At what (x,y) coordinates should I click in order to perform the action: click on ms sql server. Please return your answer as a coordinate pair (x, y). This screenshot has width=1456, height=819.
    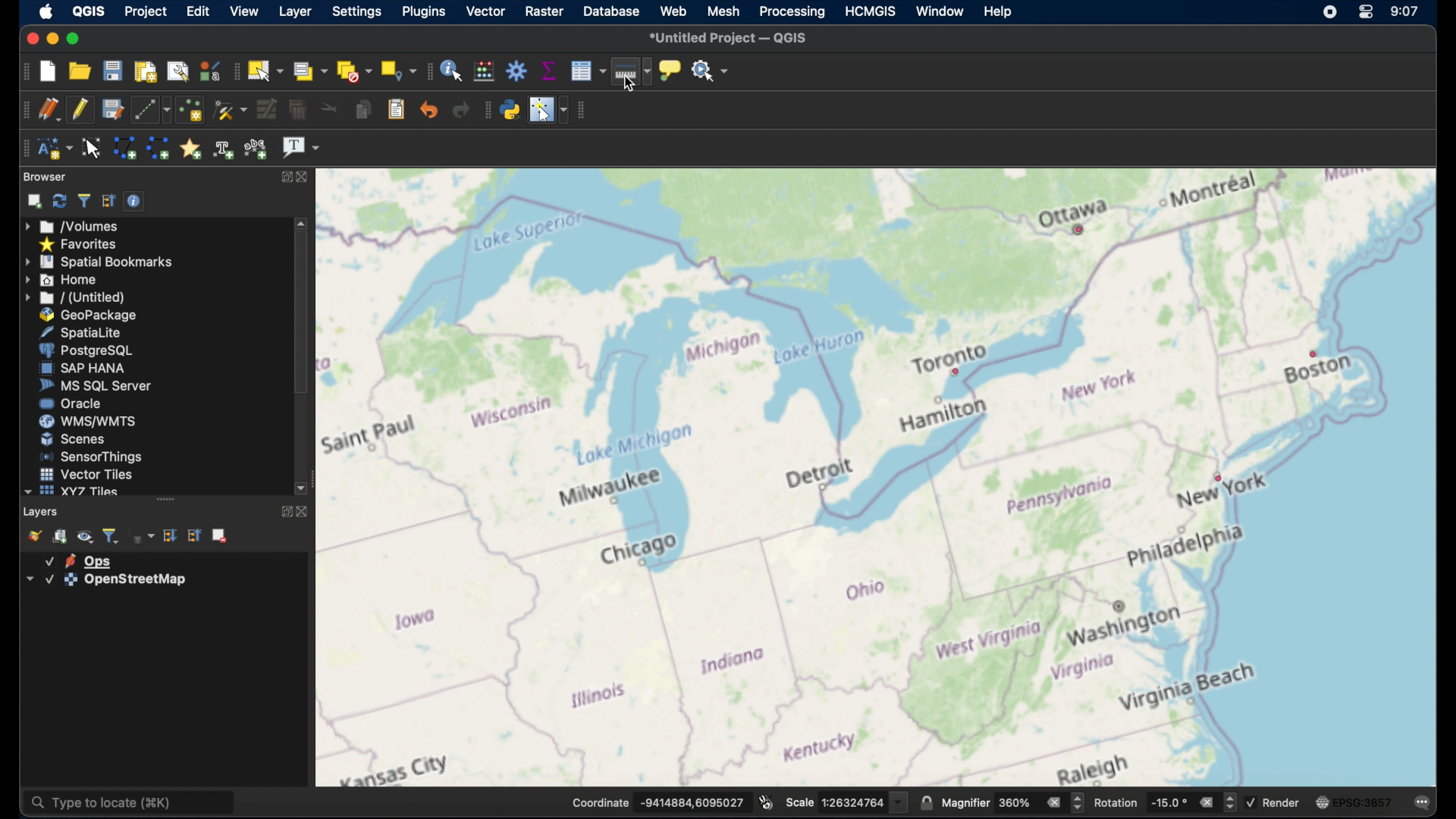
    Looking at the image, I should click on (95, 387).